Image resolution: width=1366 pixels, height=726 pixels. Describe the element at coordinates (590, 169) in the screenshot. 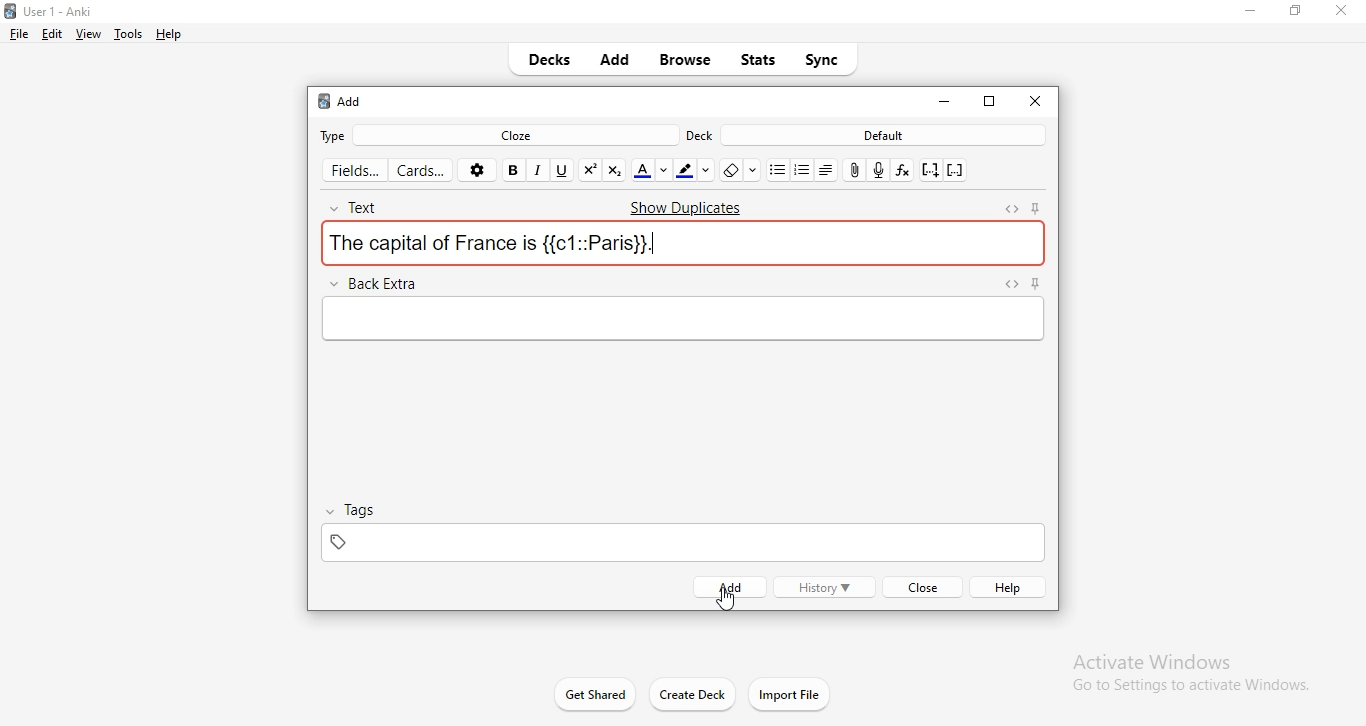

I see `superscript` at that location.